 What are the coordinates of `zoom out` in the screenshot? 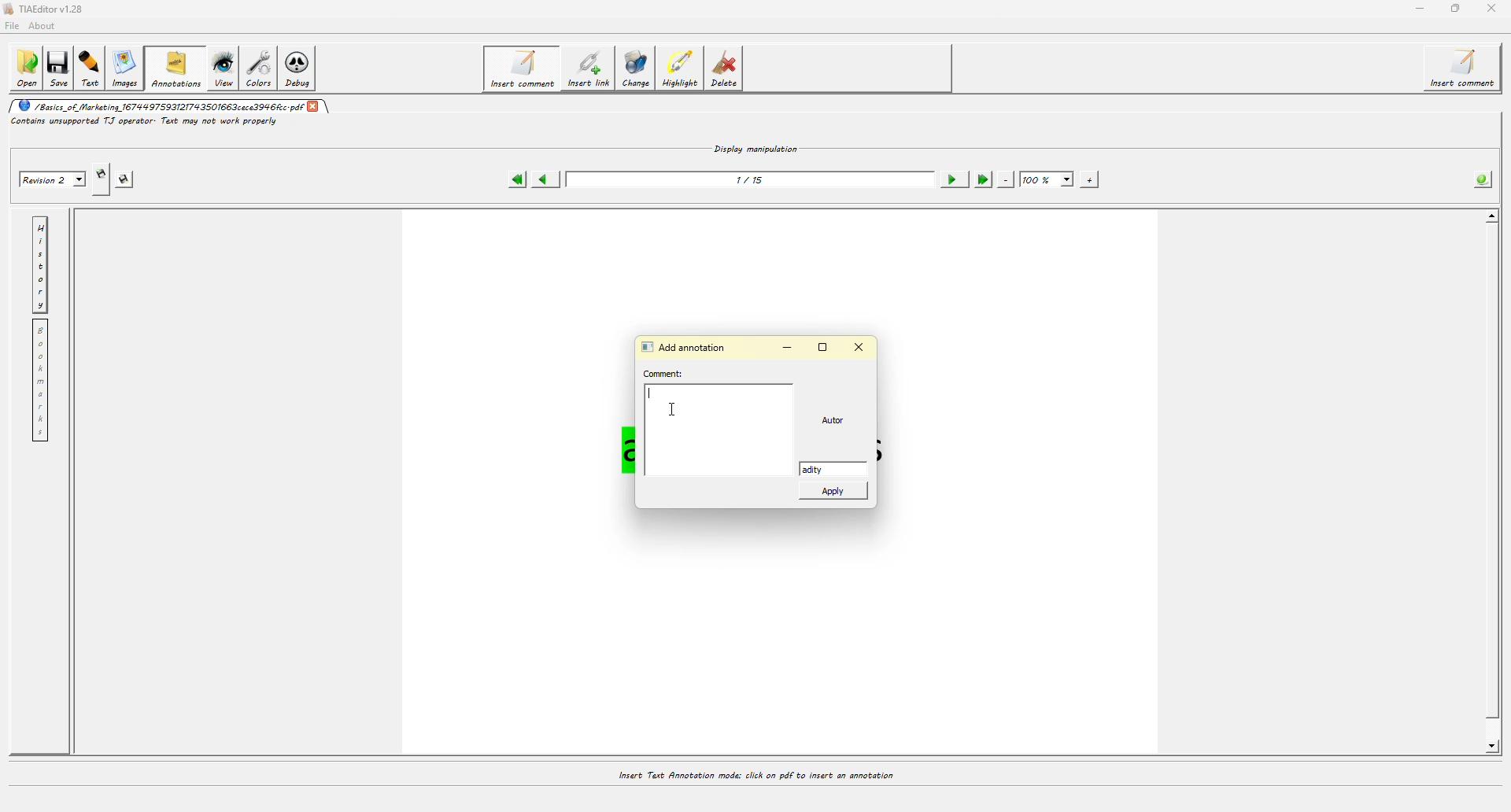 It's located at (1006, 179).